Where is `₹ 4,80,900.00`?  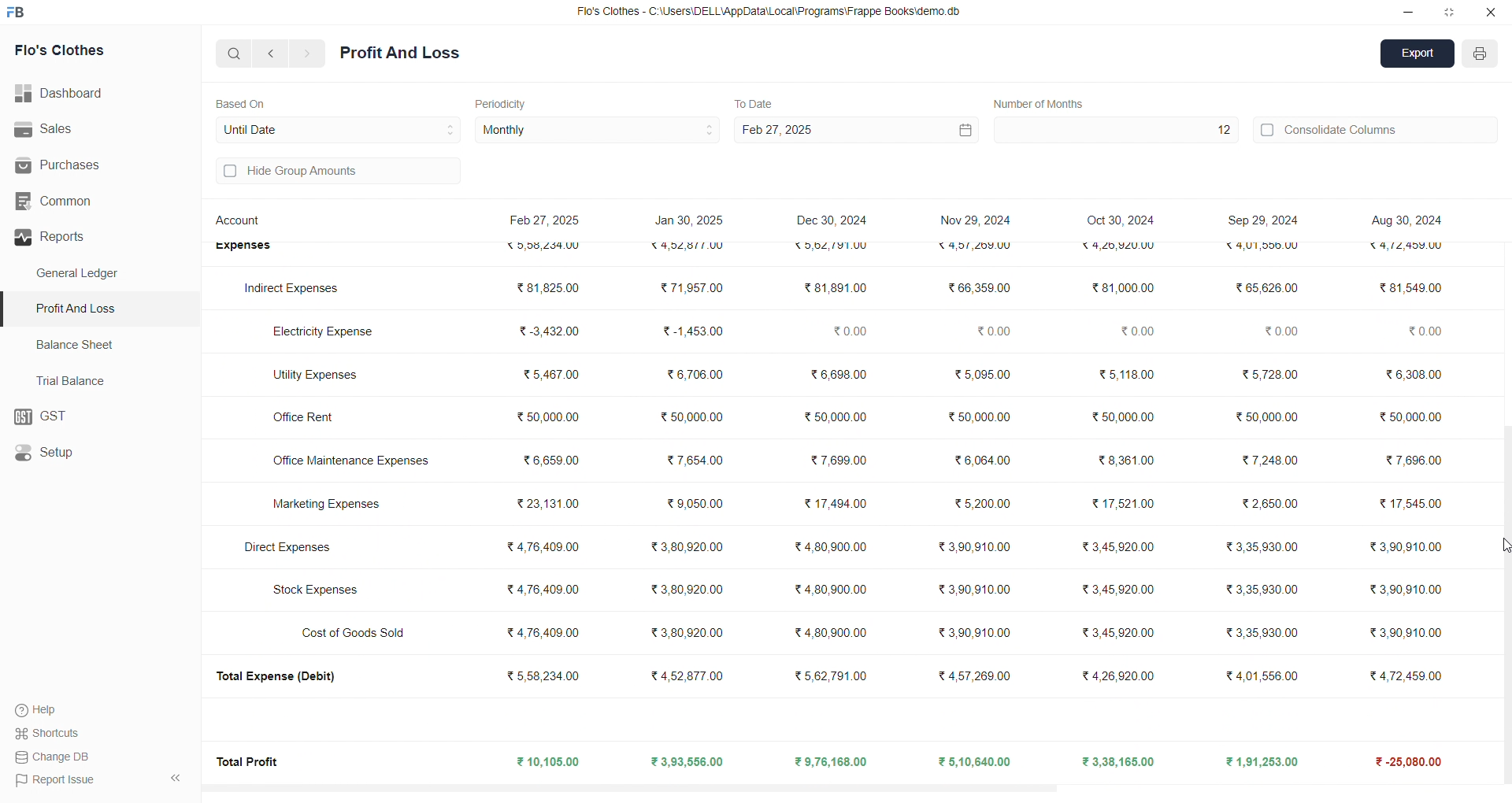 ₹ 4,80,900.00 is located at coordinates (836, 590).